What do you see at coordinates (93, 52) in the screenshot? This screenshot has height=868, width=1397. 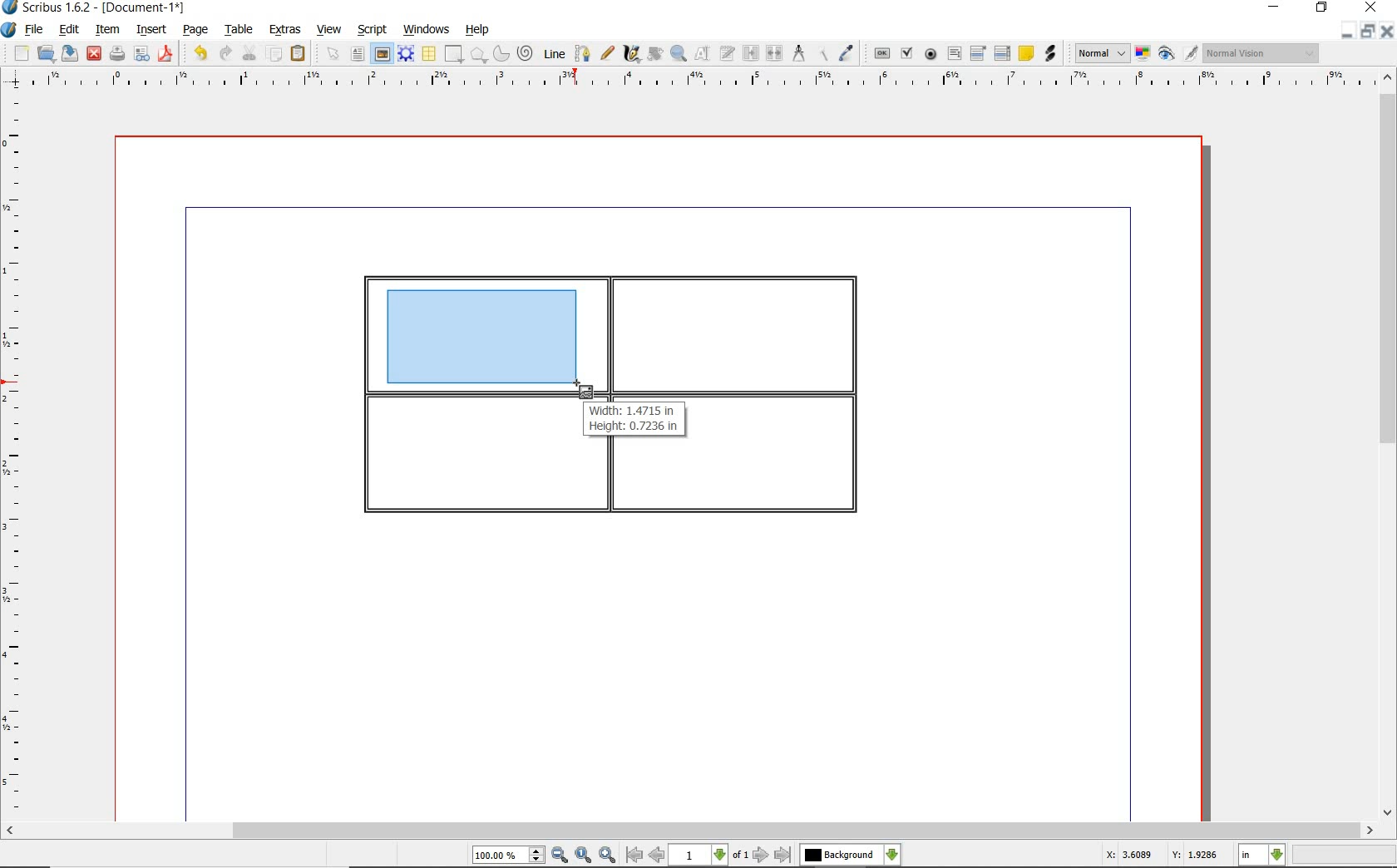 I see `close` at bounding box center [93, 52].